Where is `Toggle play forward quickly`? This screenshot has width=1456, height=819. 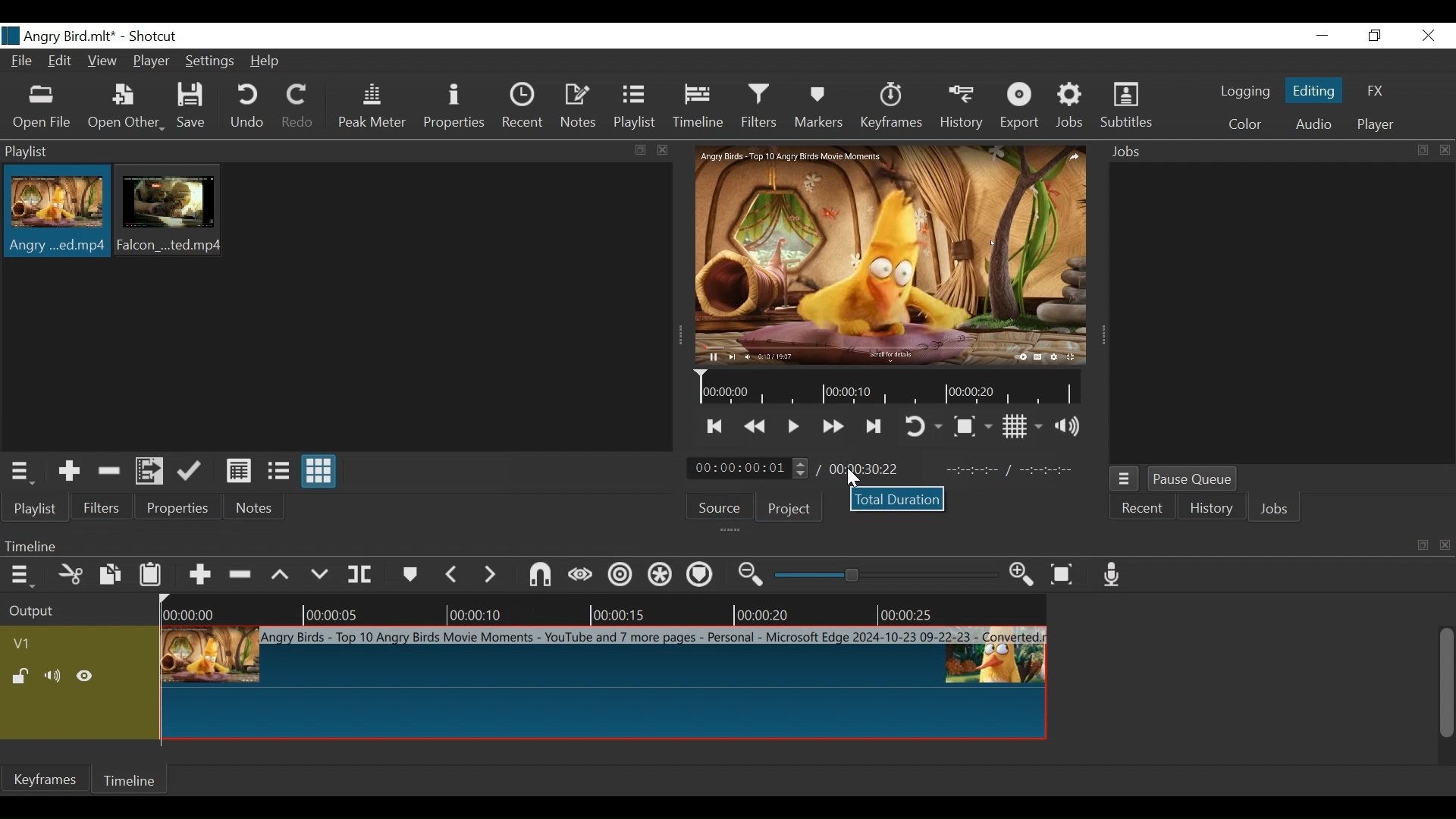
Toggle play forward quickly is located at coordinates (835, 425).